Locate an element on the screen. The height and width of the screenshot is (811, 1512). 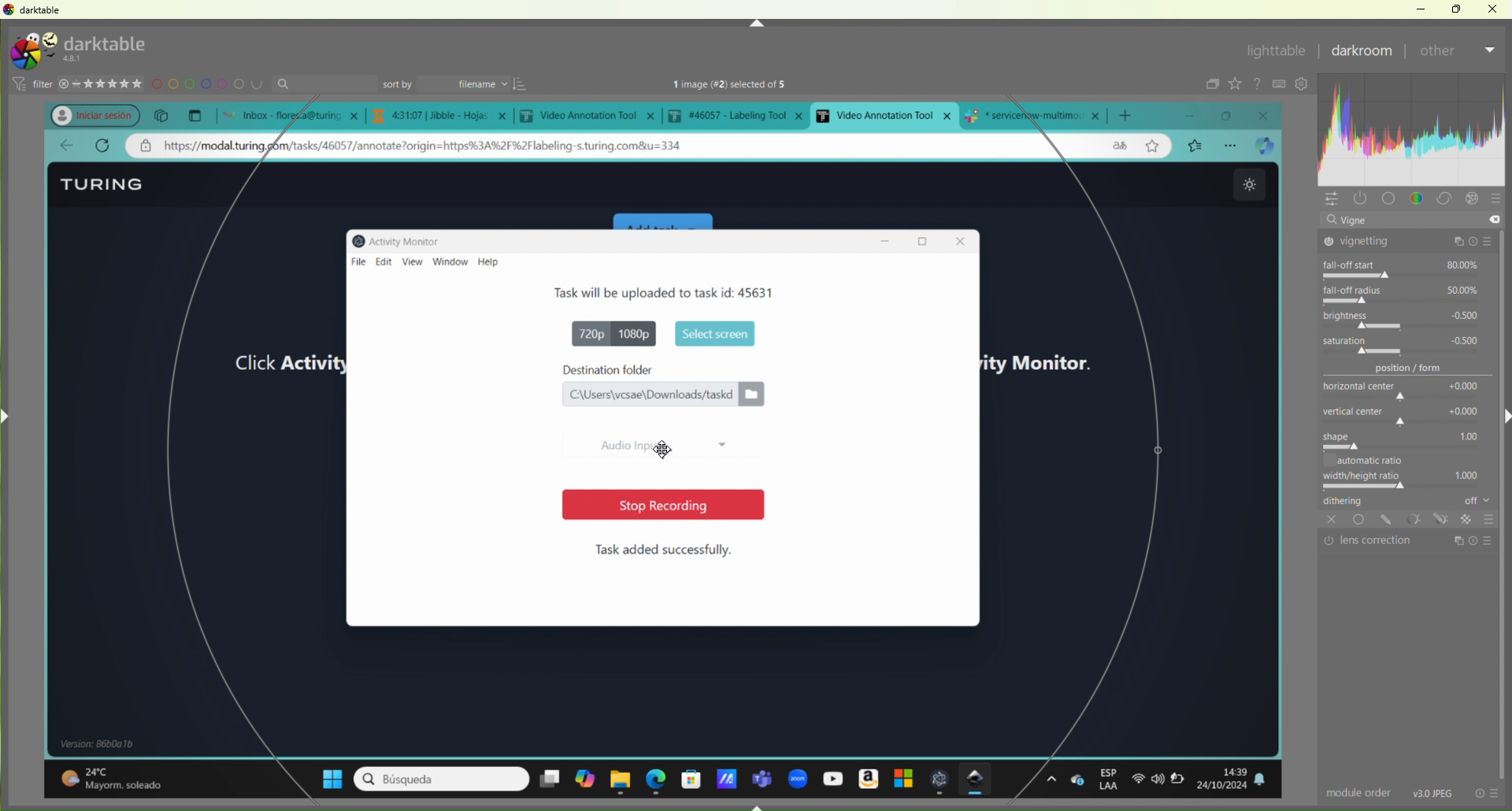
file is located at coordinates (398, 294).